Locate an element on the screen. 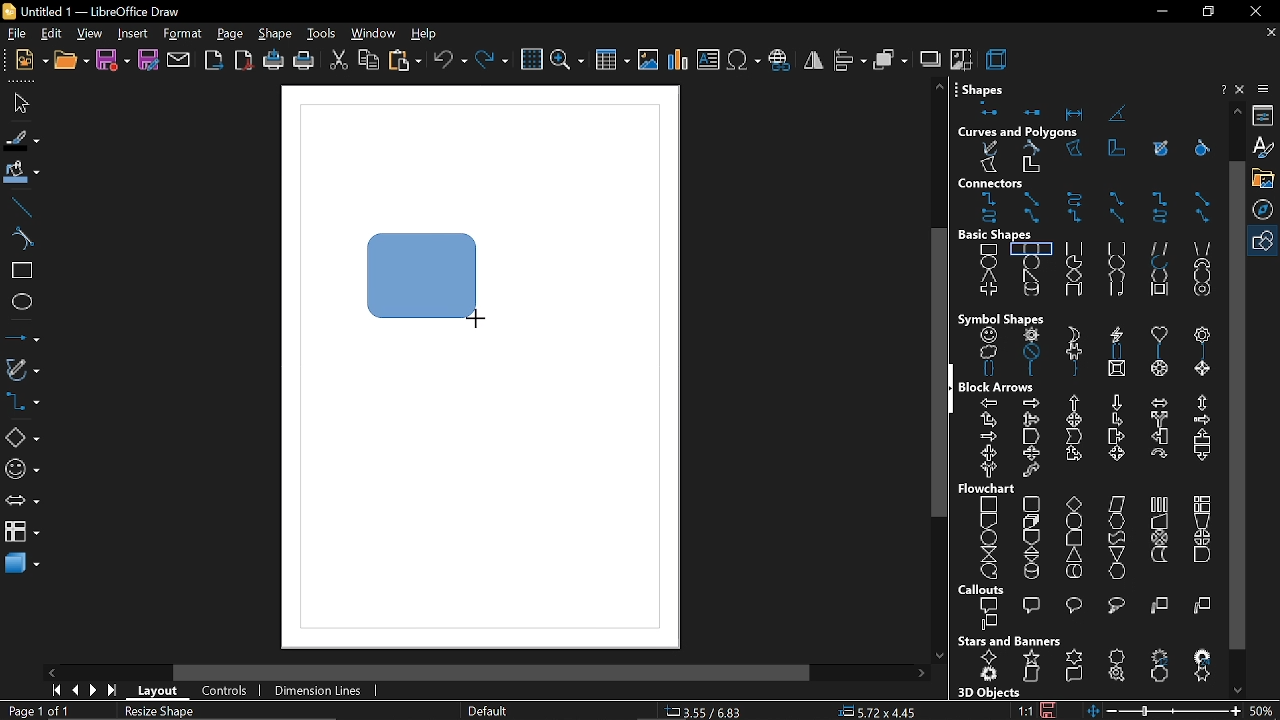  change zoom is located at coordinates (1162, 711).